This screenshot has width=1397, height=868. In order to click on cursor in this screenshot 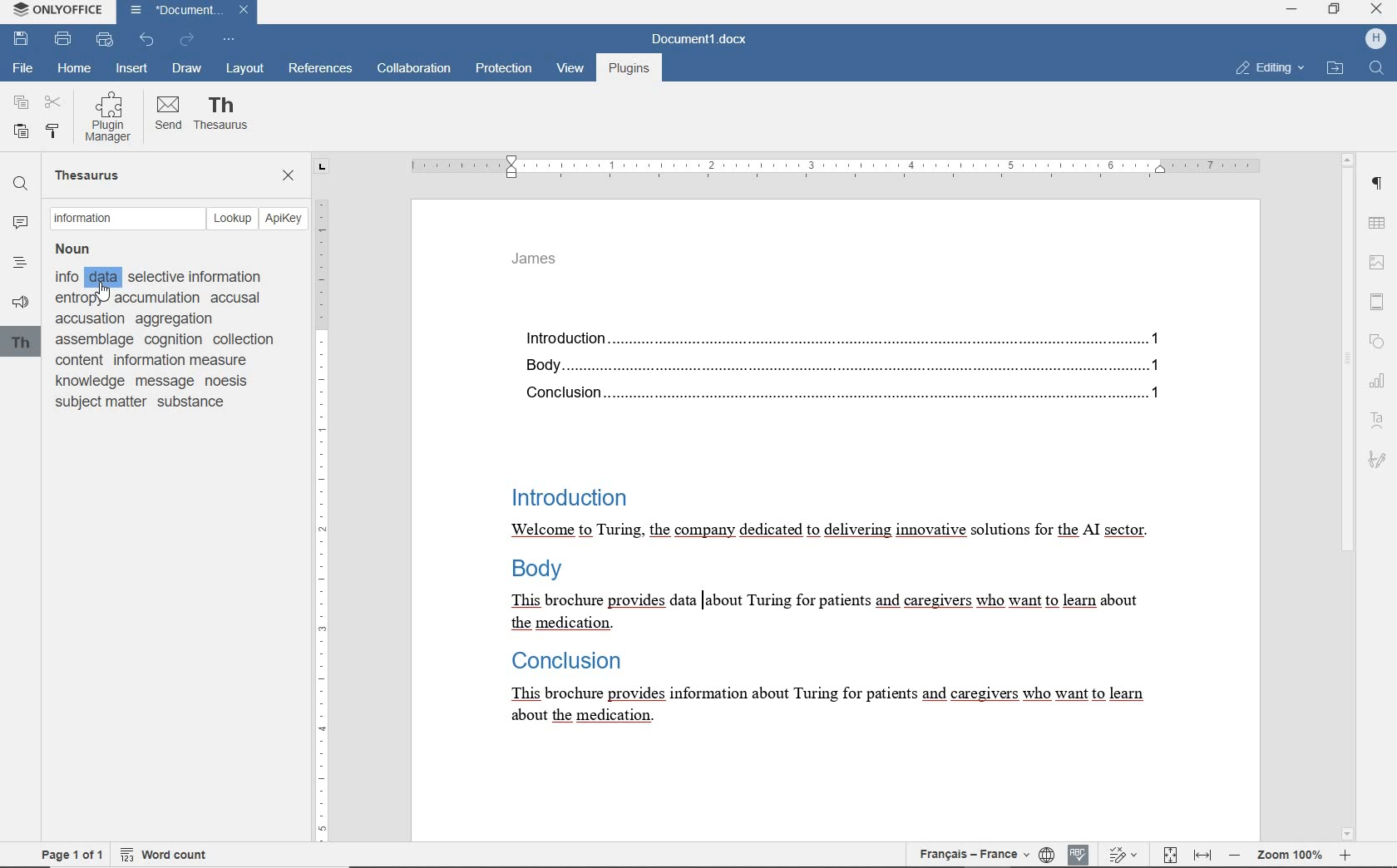, I will do `click(103, 293)`.